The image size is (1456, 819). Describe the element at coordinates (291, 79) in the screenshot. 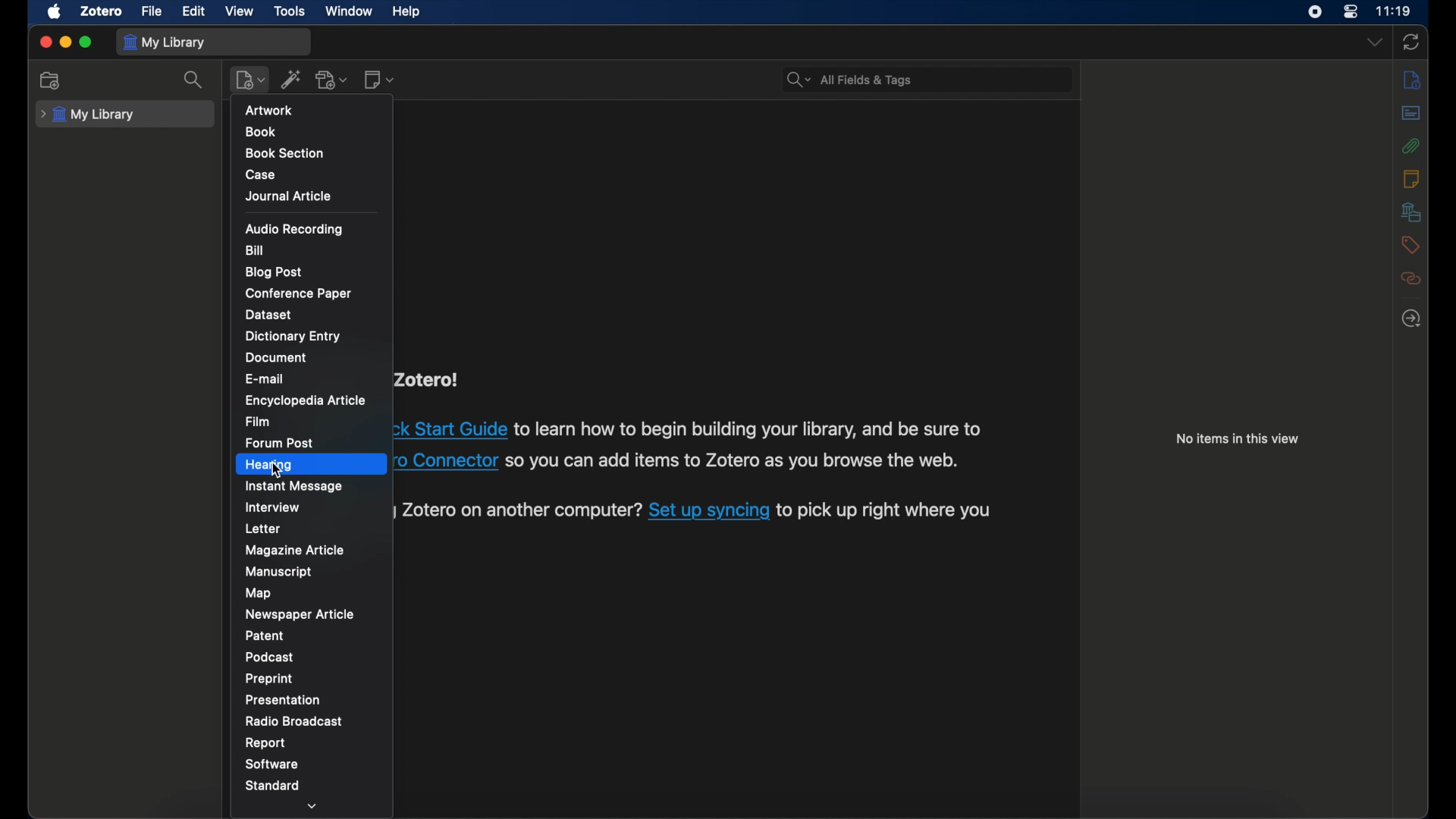

I see `add item by identifier` at that location.